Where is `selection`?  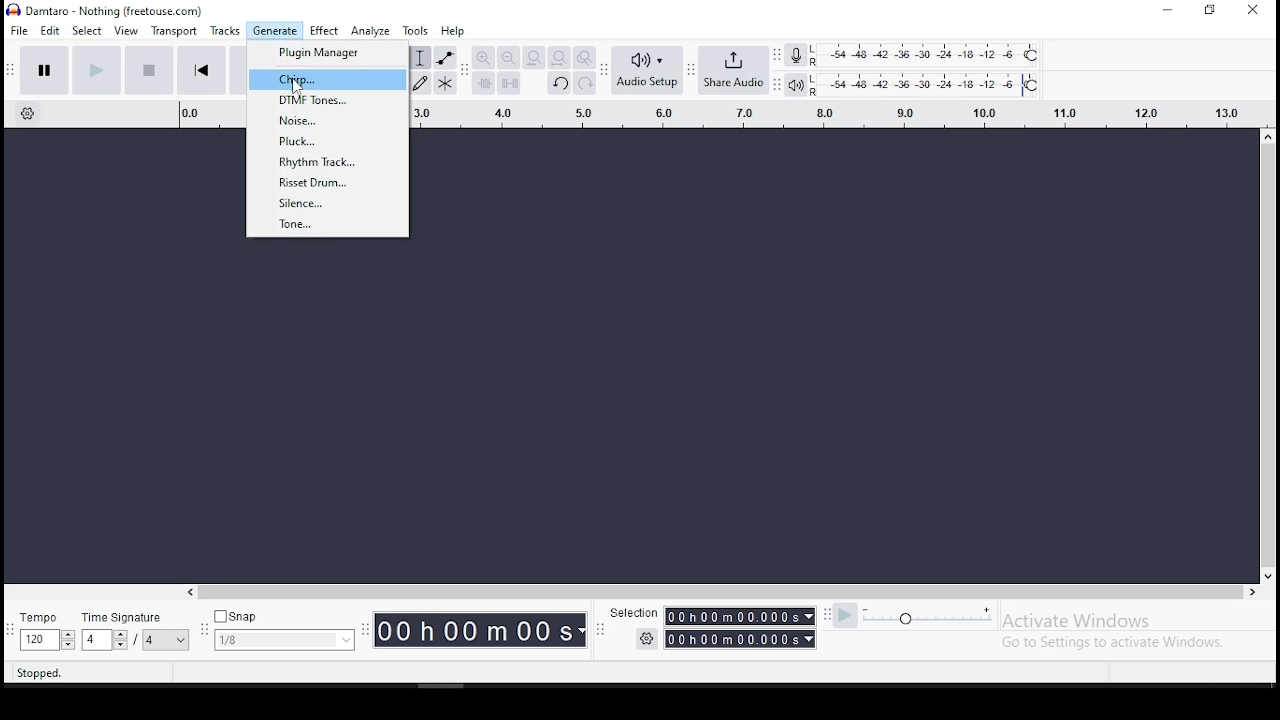 selection is located at coordinates (635, 614).